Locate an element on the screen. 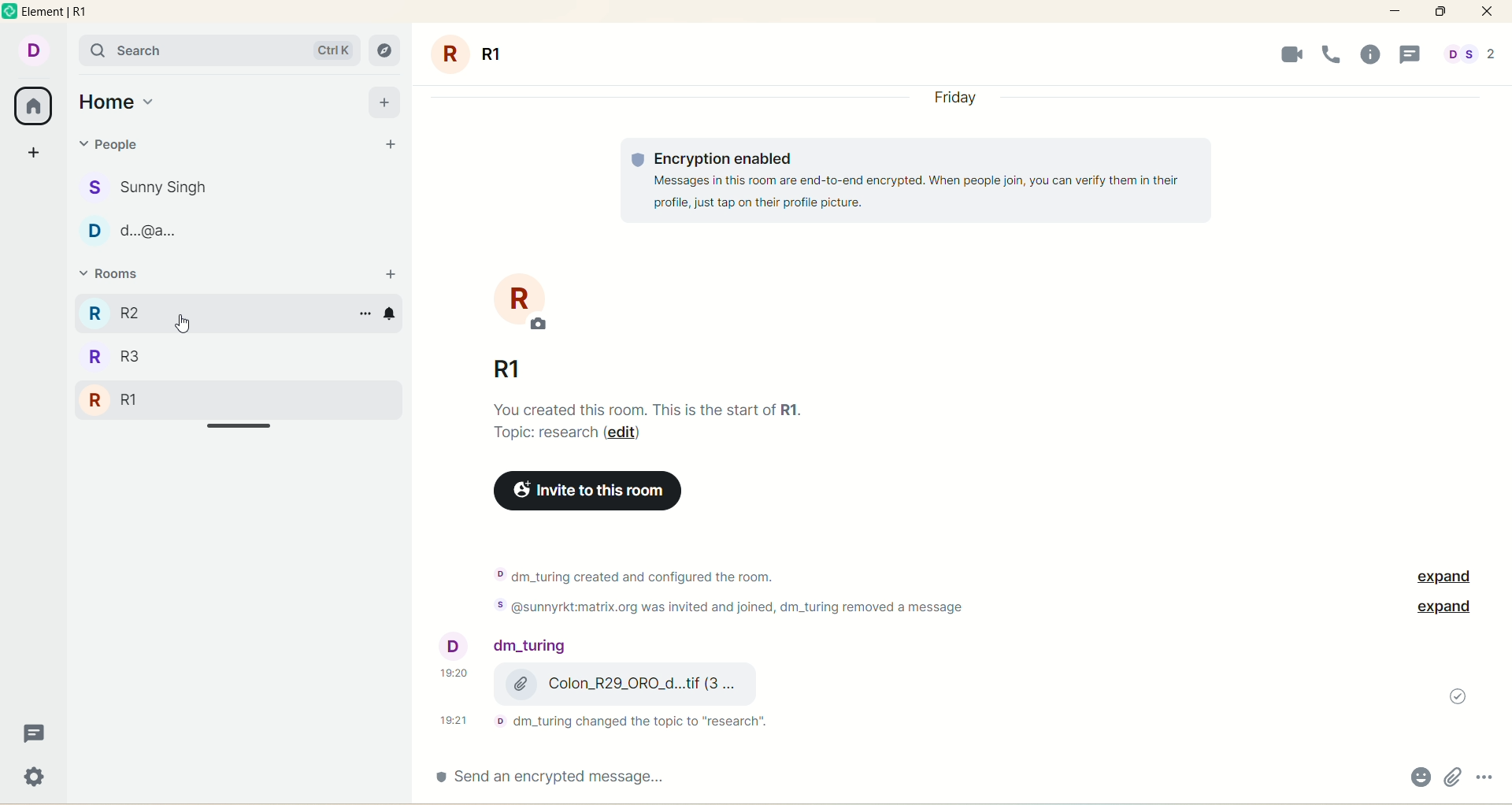 The width and height of the screenshot is (1512, 805). message sent is located at coordinates (1458, 696).